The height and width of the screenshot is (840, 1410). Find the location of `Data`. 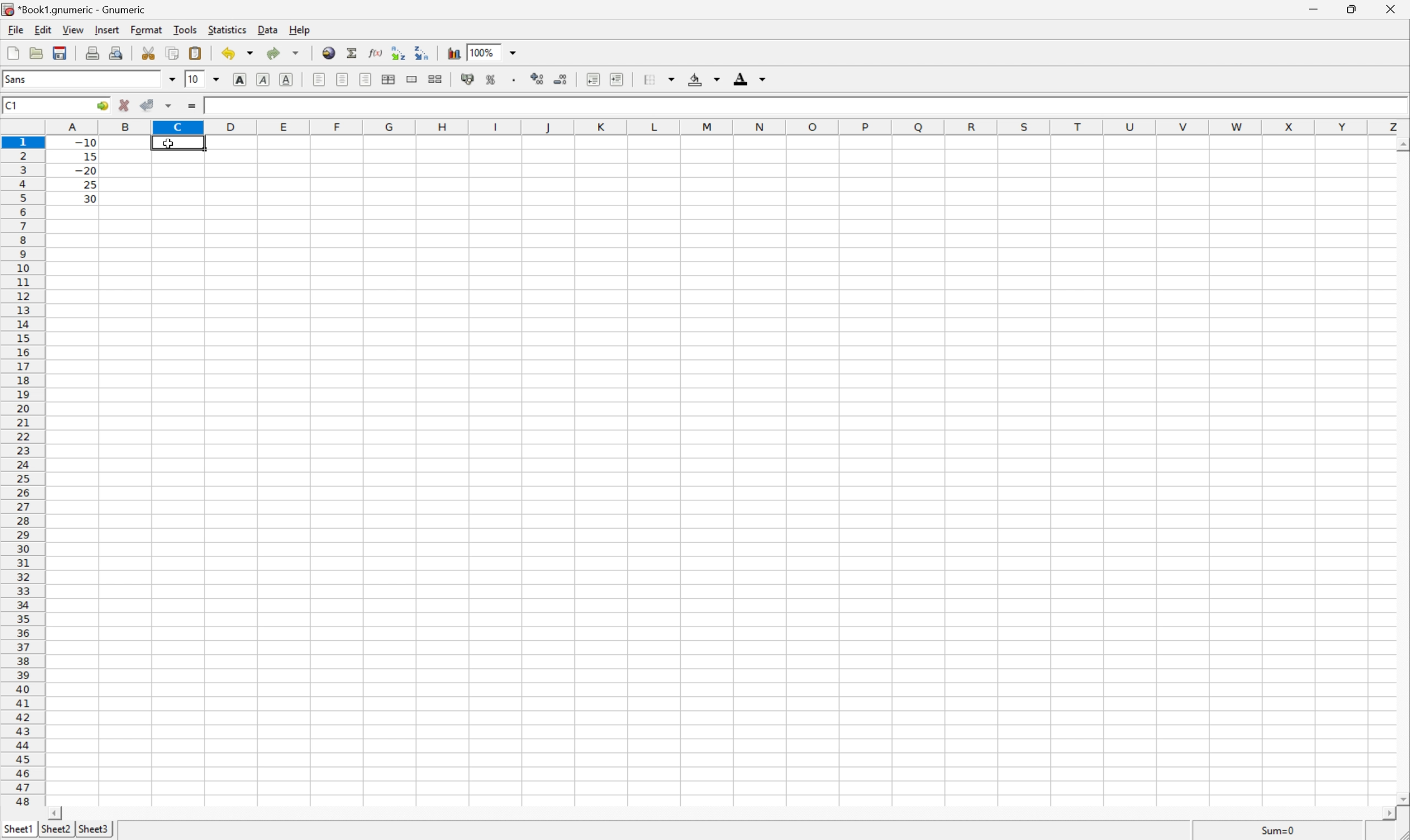

Data is located at coordinates (271, 31).